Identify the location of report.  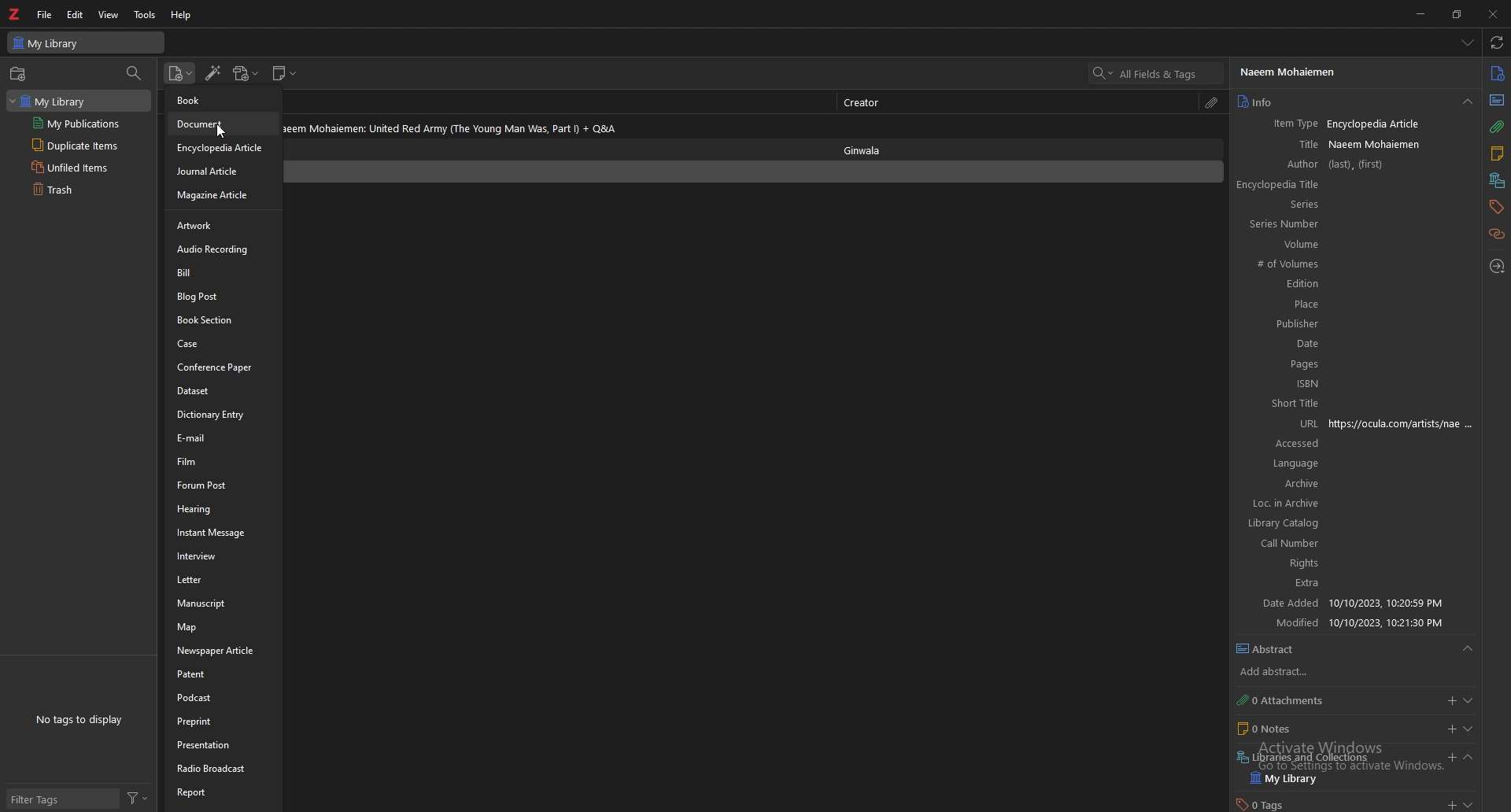
(223, 794).